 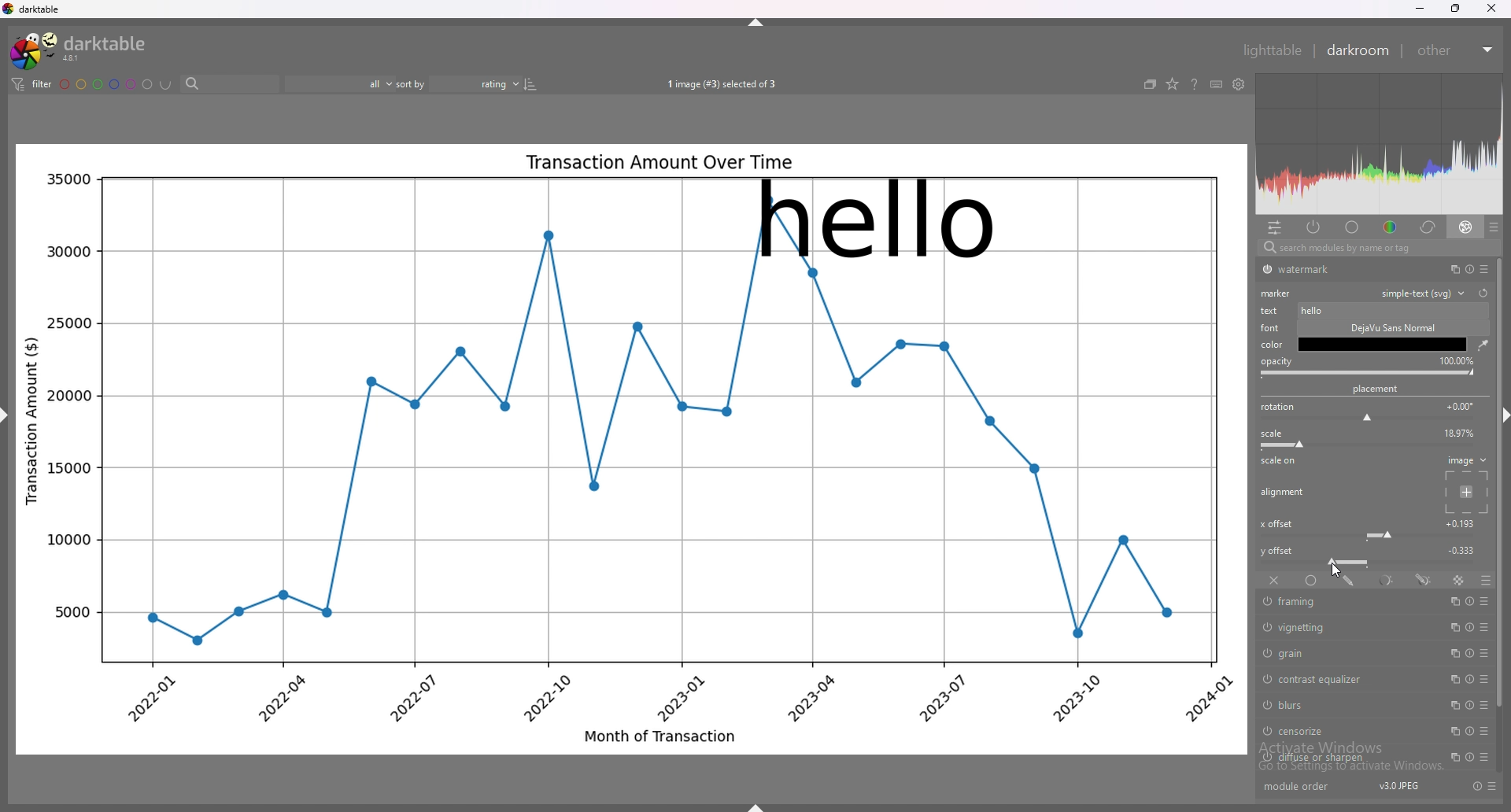 I want to click on switch off, so click(x=1265, y=270).